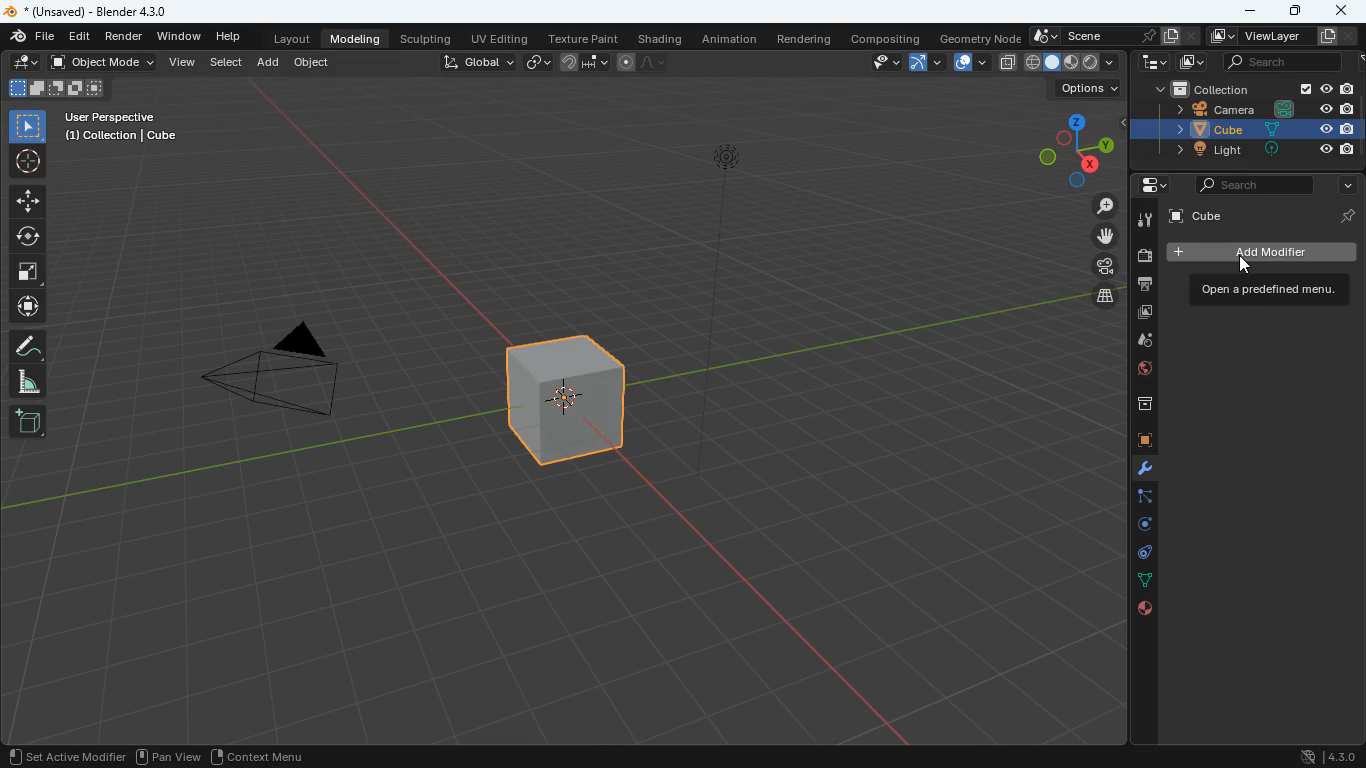 Image resolution: width=1366 pixels, height=768 pixels. I want to click on dots, so click(1145, 583).